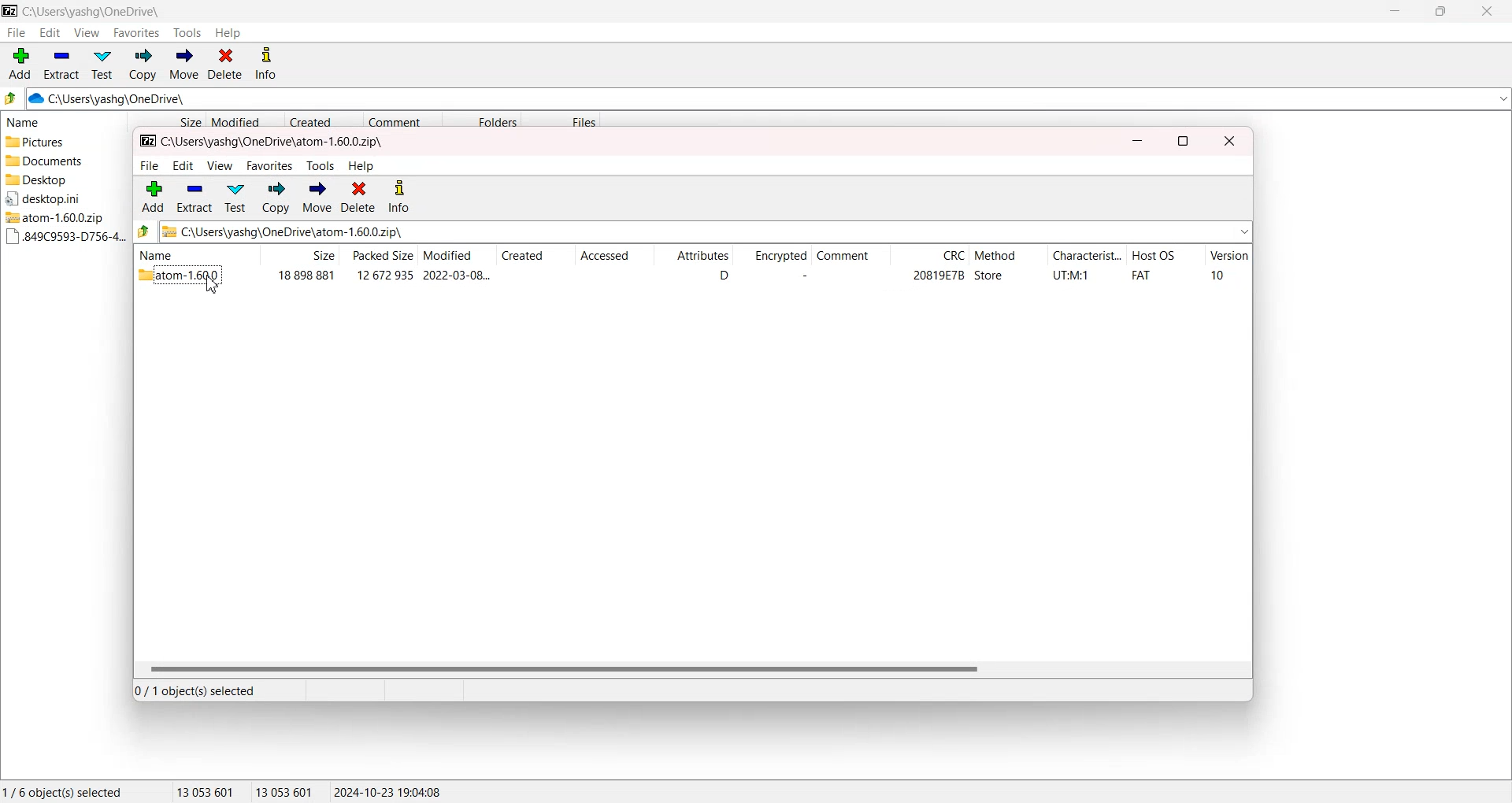  I want to click on Favorites, so click(137, 32).